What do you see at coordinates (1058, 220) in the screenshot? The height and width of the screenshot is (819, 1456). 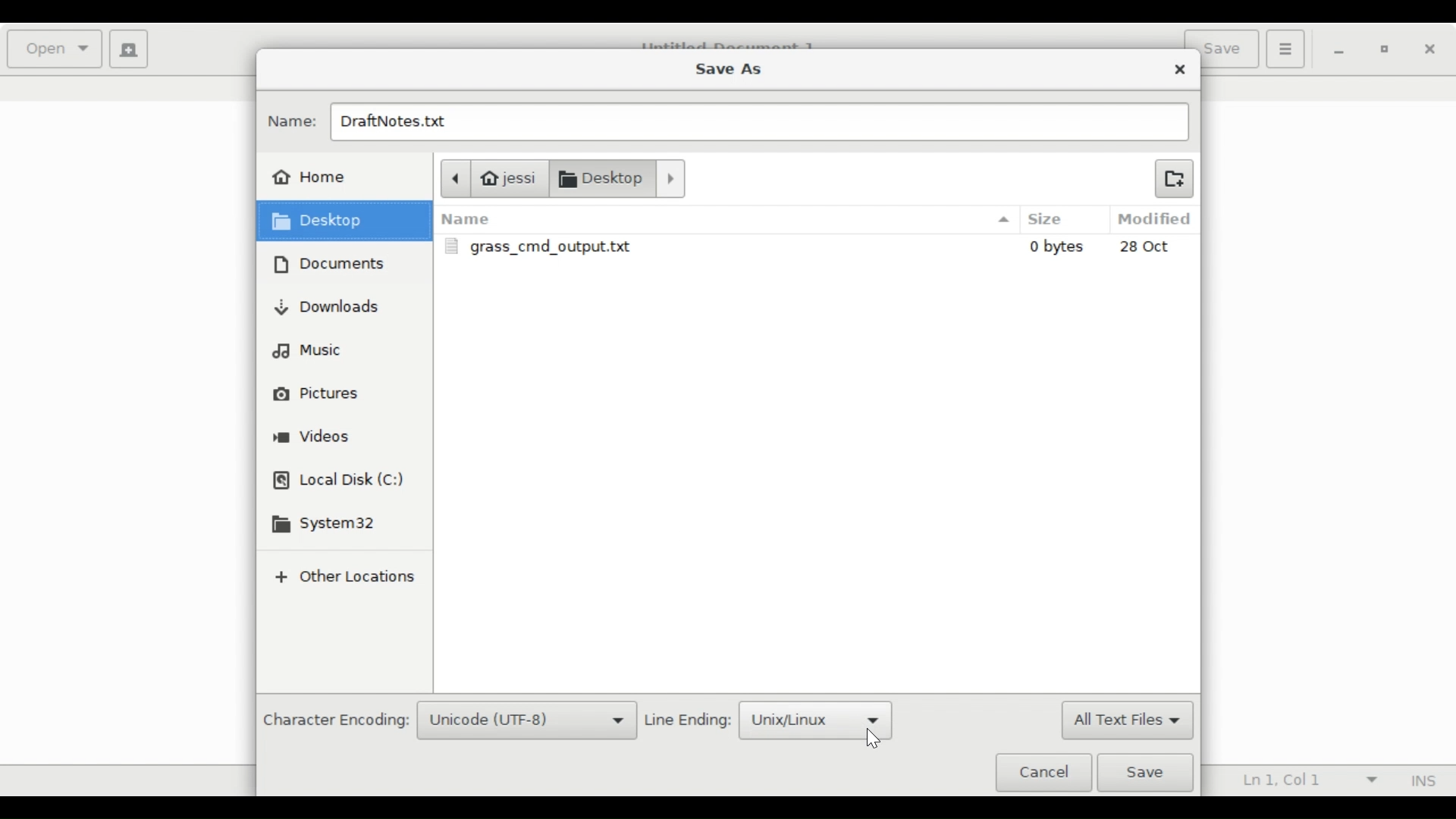 I see `Size` at bounding box center [1058, 220].